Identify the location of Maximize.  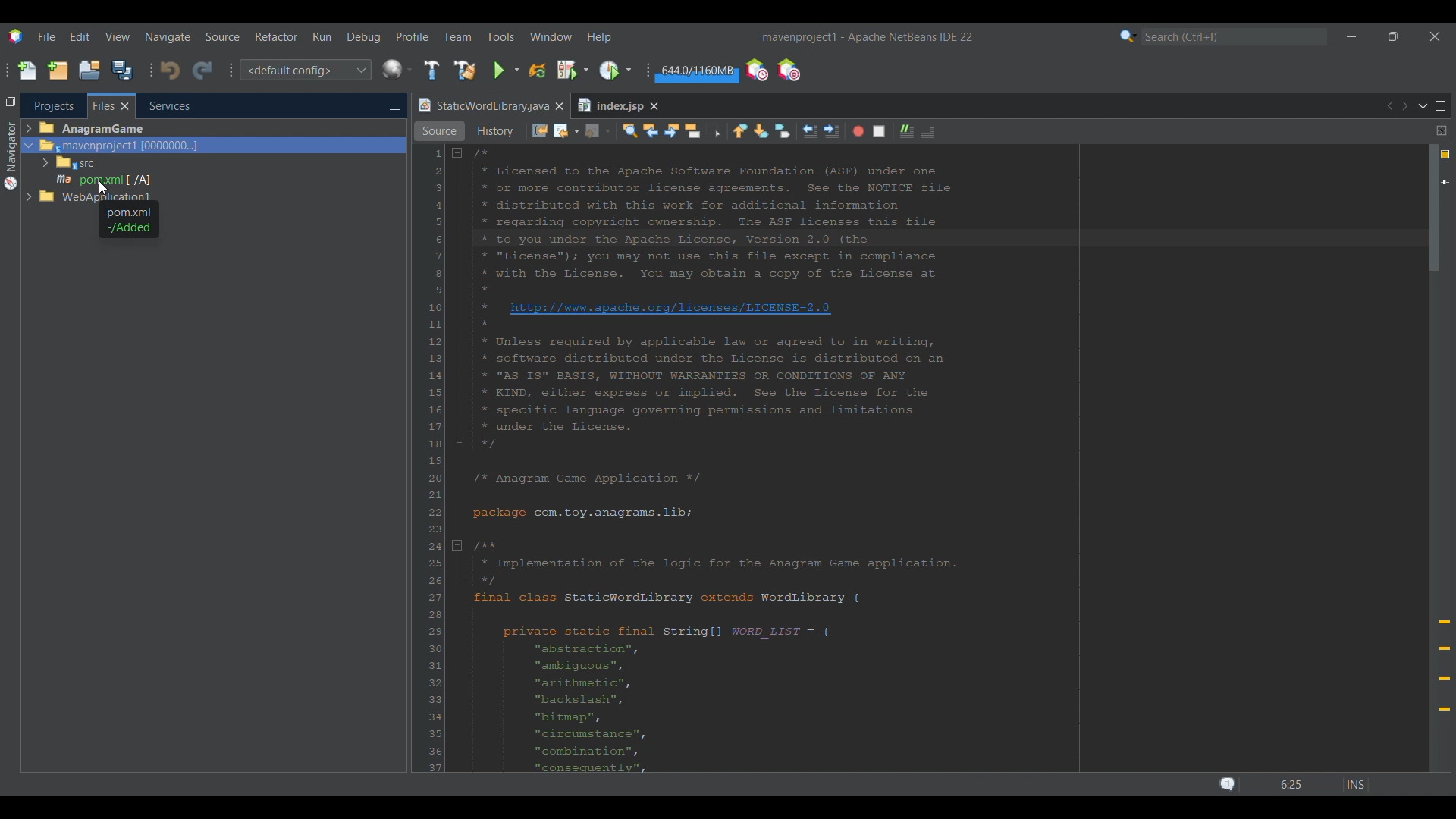
(1441, 106).